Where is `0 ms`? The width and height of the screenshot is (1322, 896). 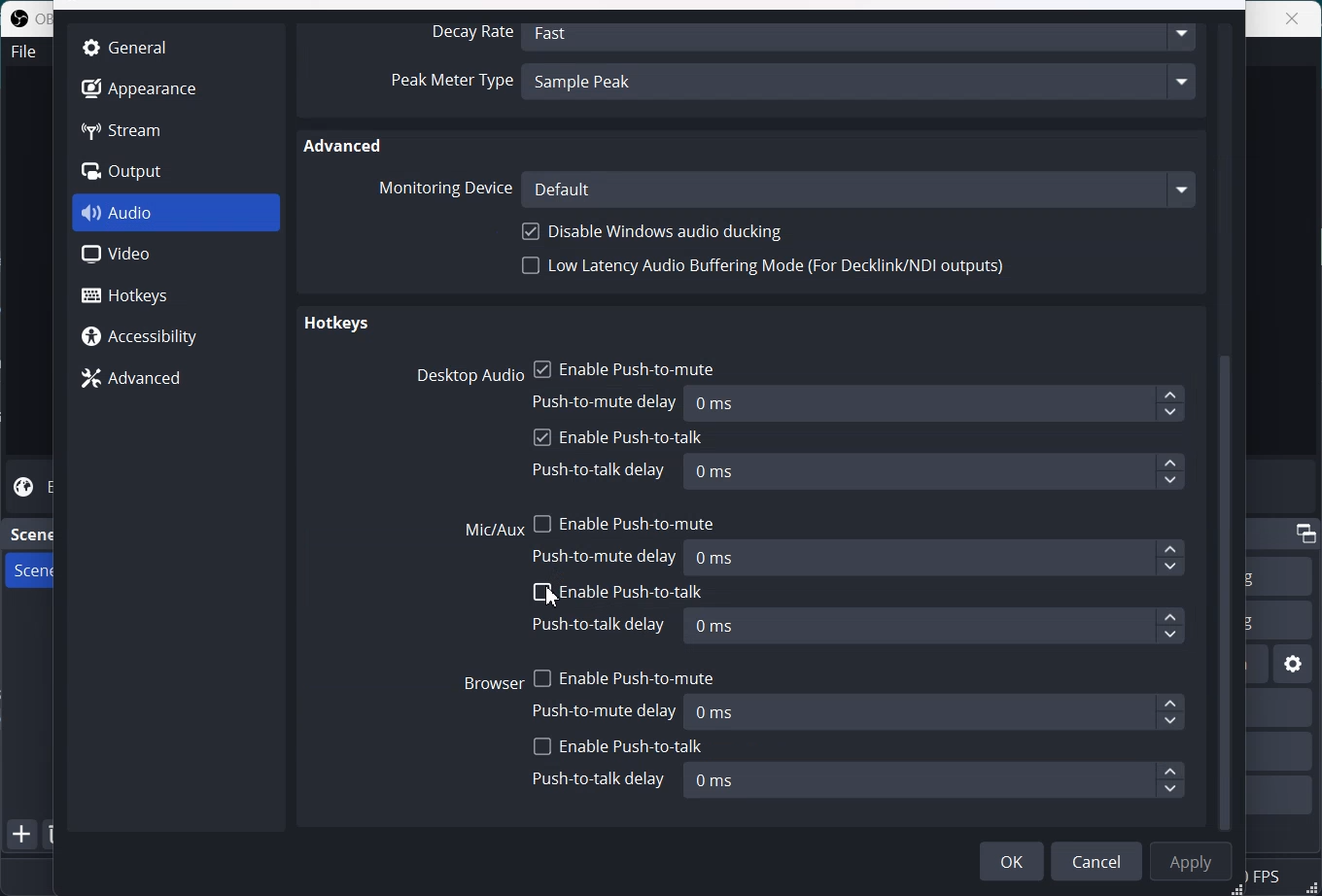 0 ms is located at coordinates (934, 471).